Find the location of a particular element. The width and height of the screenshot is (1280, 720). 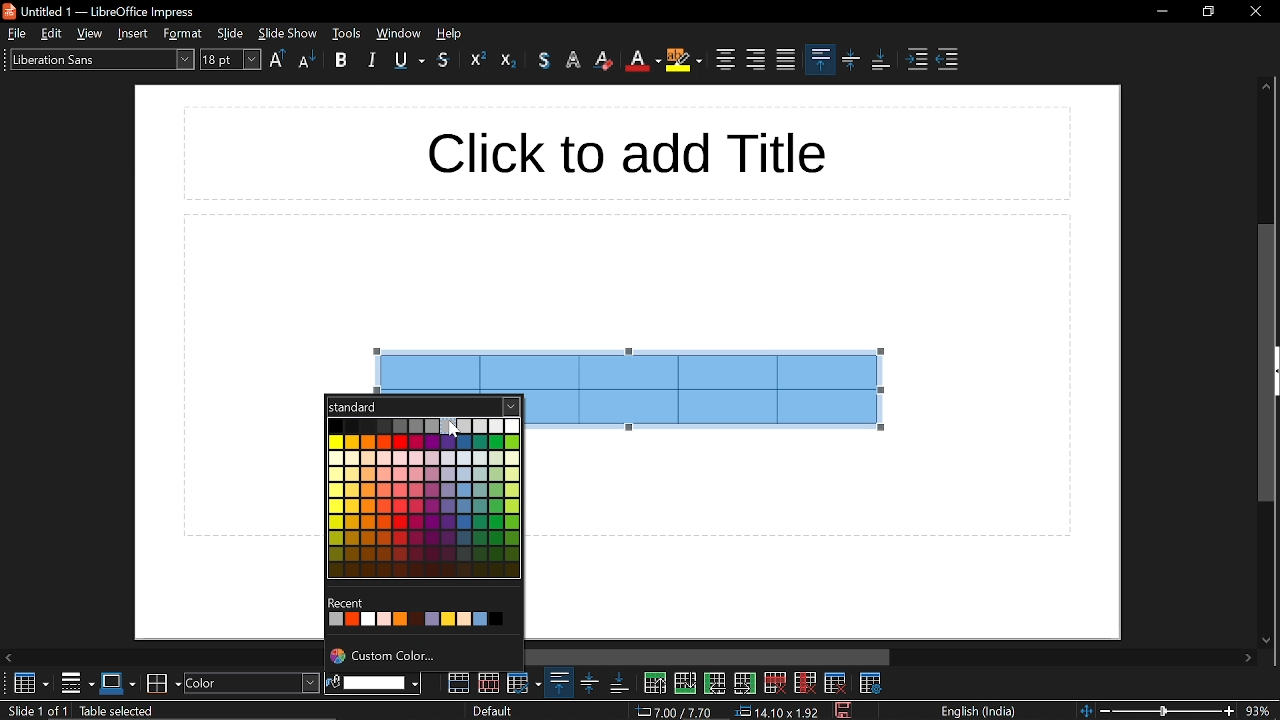

italic is located at coordinates (372, 58).